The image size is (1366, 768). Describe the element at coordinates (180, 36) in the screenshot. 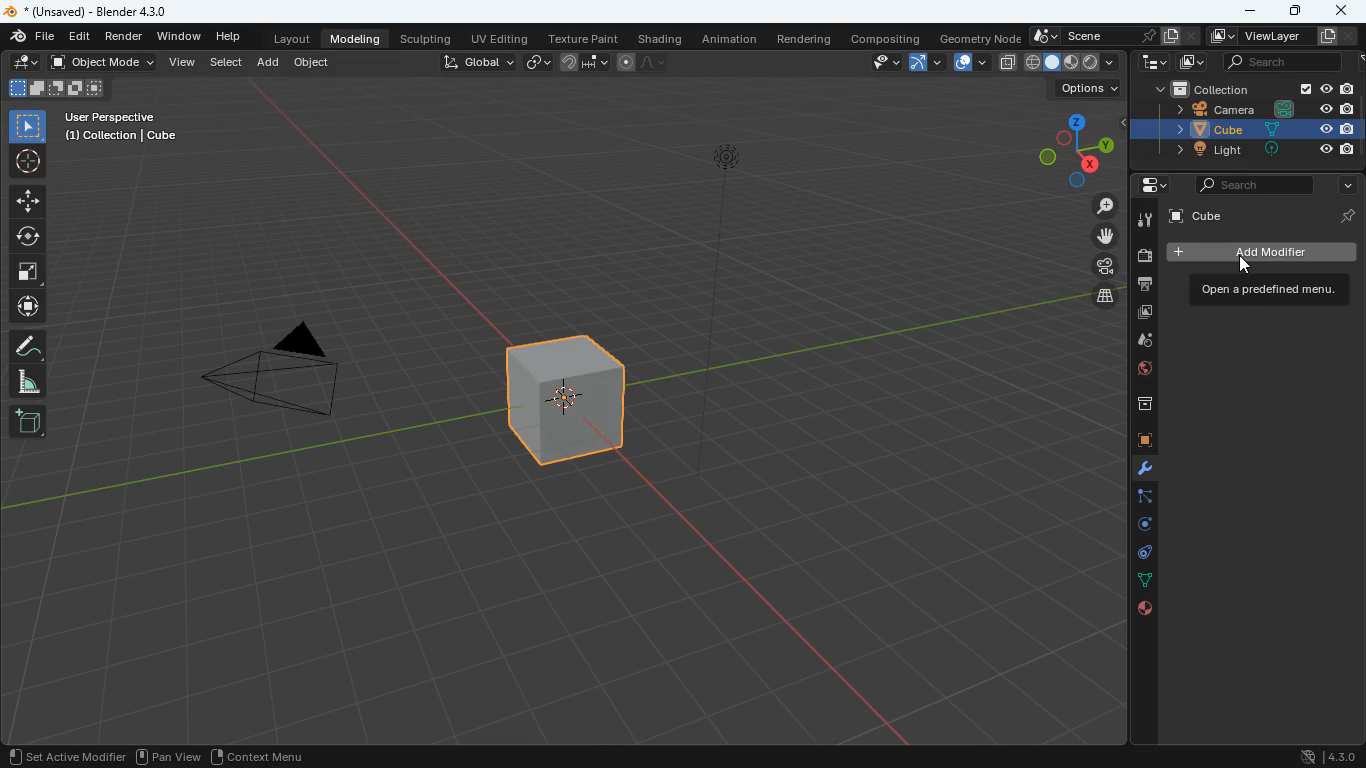

I see `window` at that location.